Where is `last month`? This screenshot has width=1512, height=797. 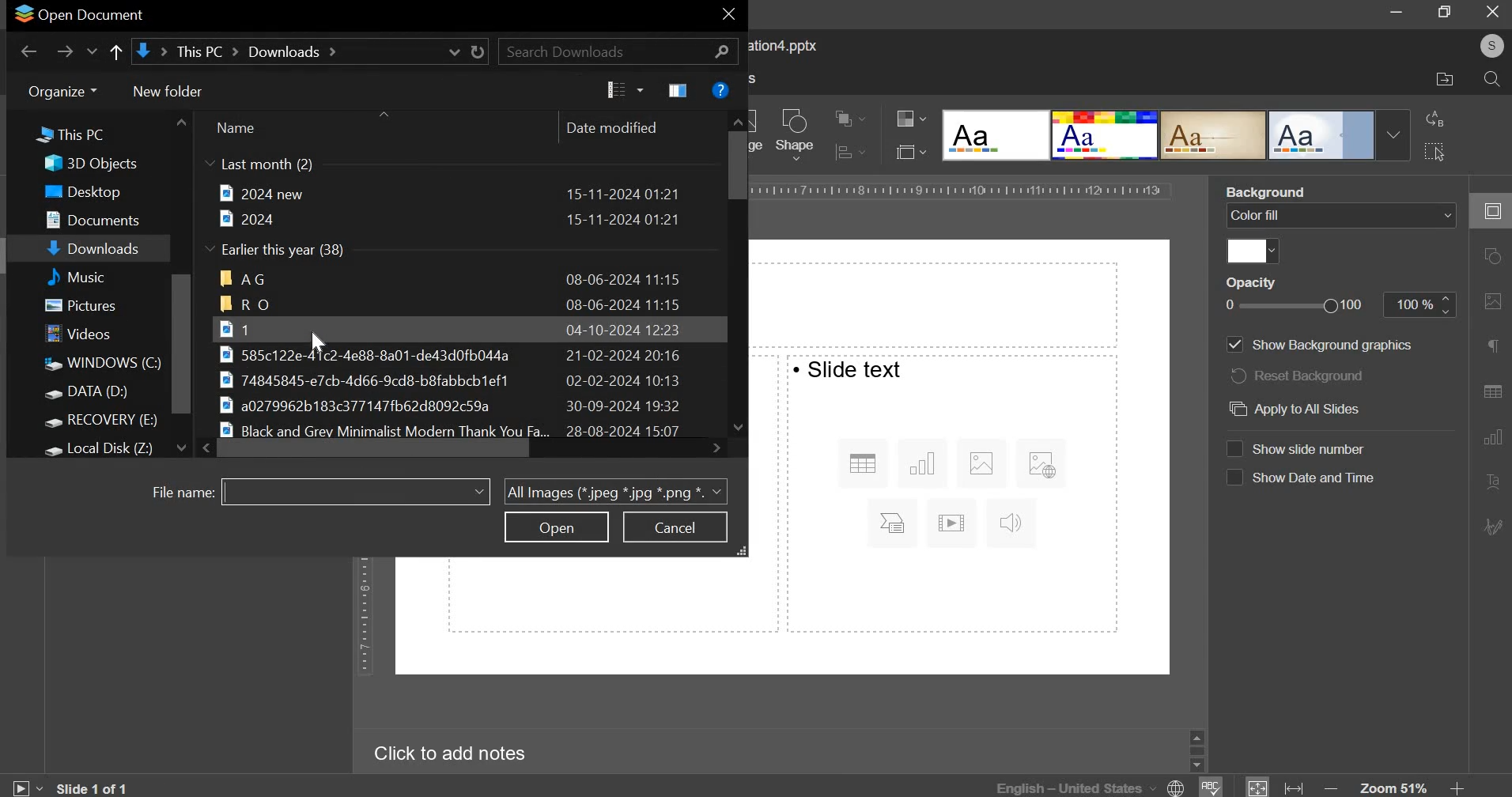 last month is located at coordinates (259, 165).